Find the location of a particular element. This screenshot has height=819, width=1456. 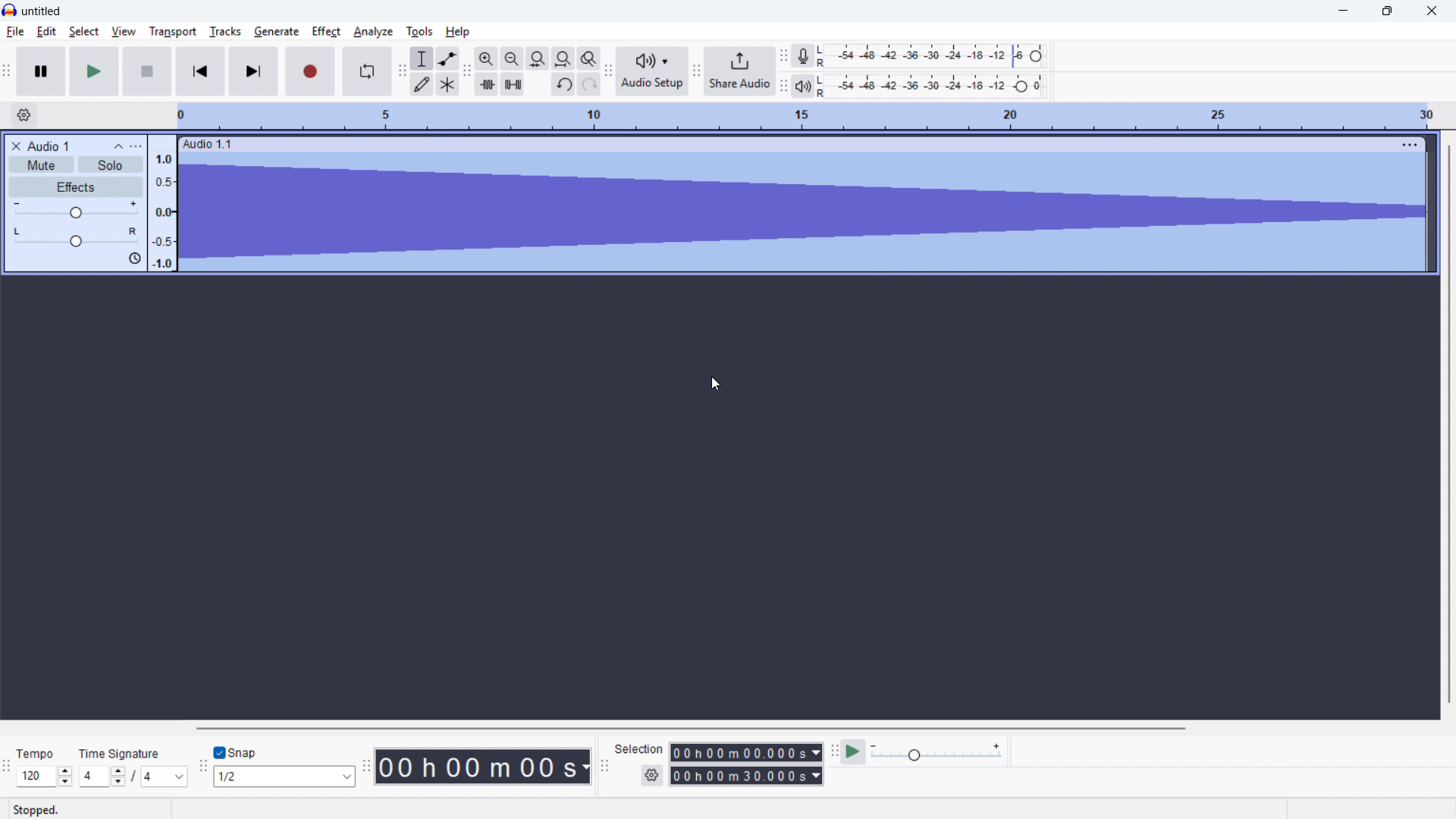

Timestamp  is located at coordinates (483, 767).